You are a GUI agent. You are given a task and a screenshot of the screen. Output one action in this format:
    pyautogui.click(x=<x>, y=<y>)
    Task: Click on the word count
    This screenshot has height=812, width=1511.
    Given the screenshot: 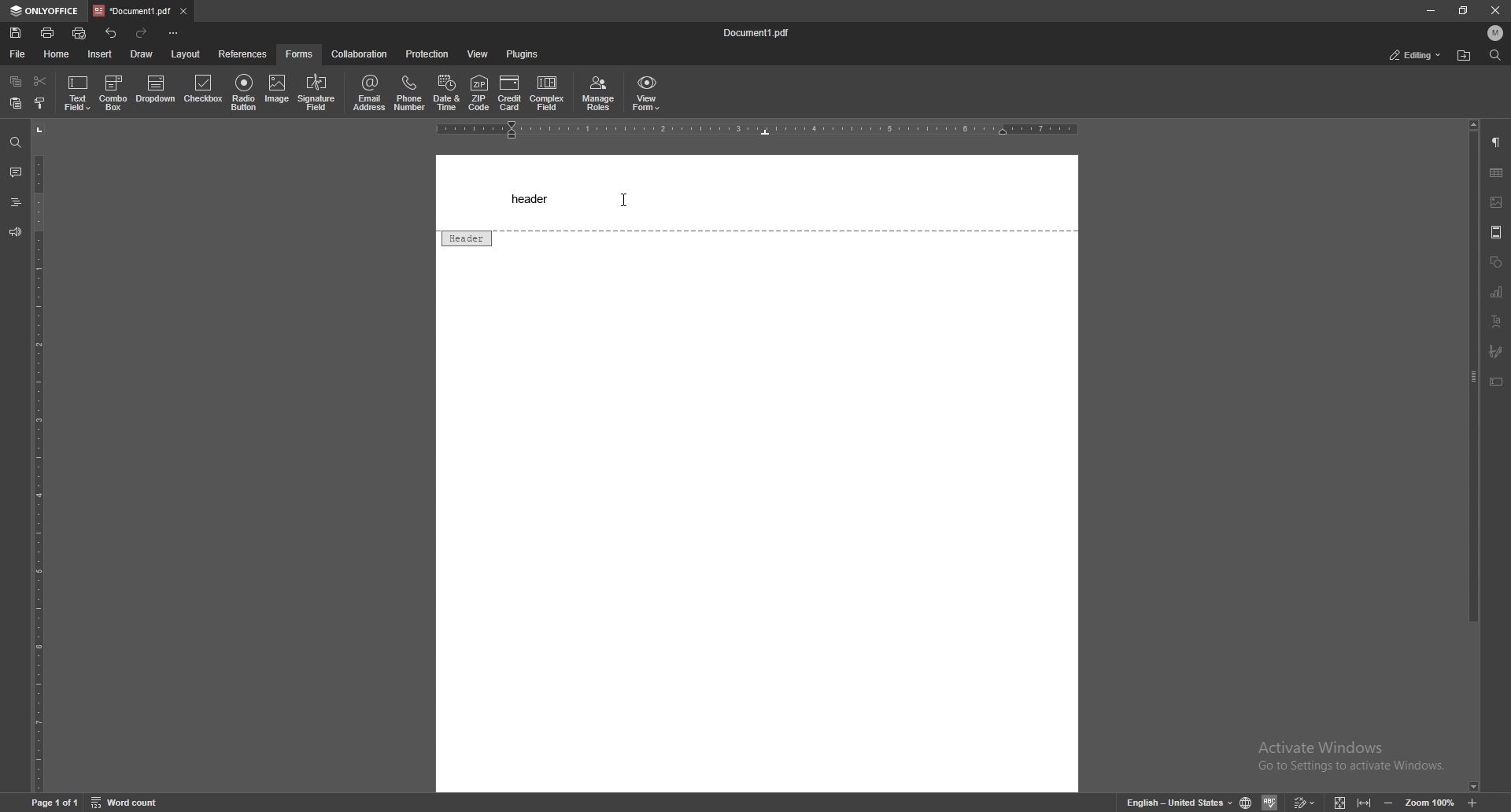 What is the action you would take?
    pyautogui.click(x=127, y=803)
    